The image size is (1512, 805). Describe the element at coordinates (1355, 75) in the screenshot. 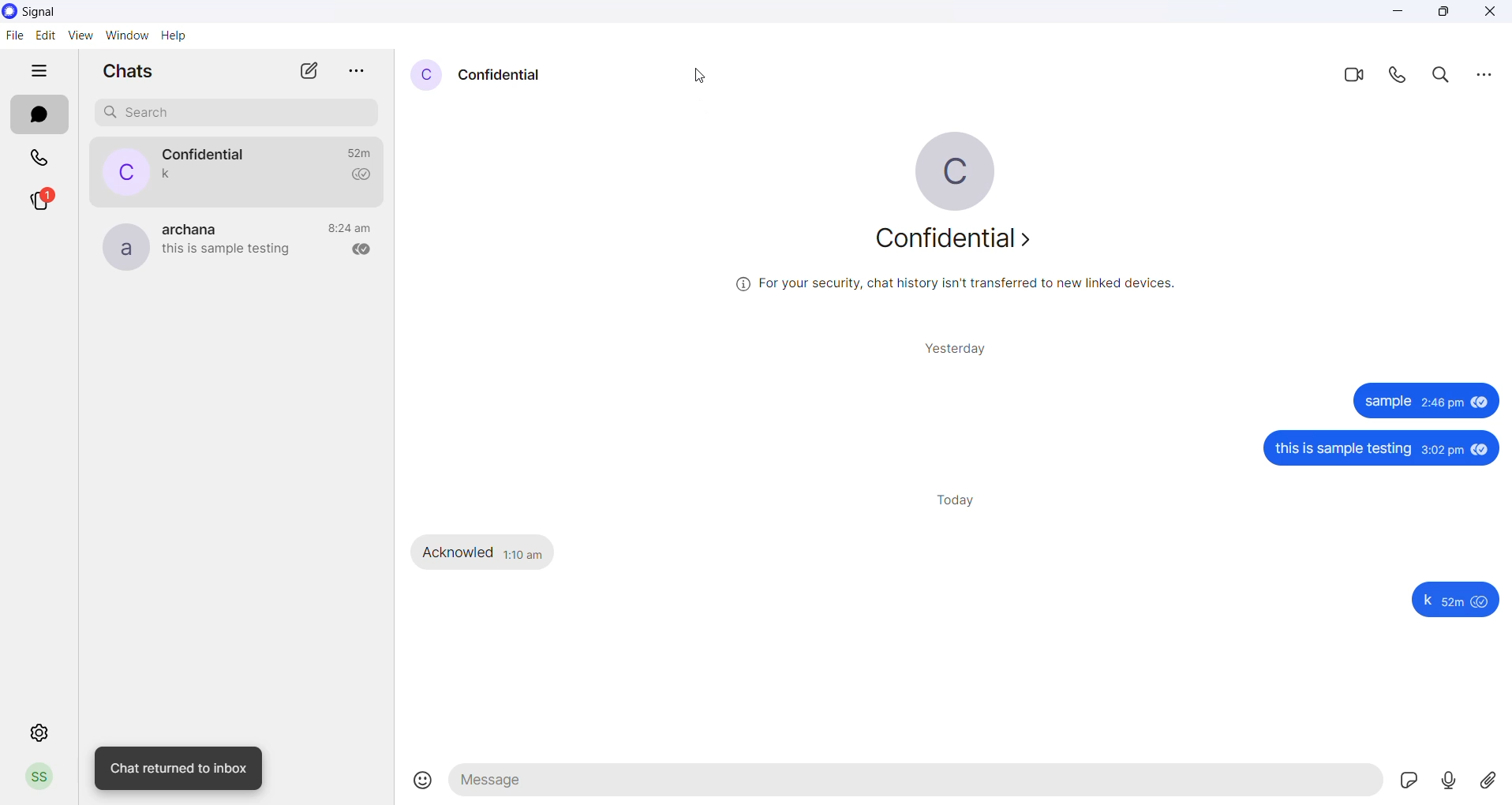

I see `video call` at that location.